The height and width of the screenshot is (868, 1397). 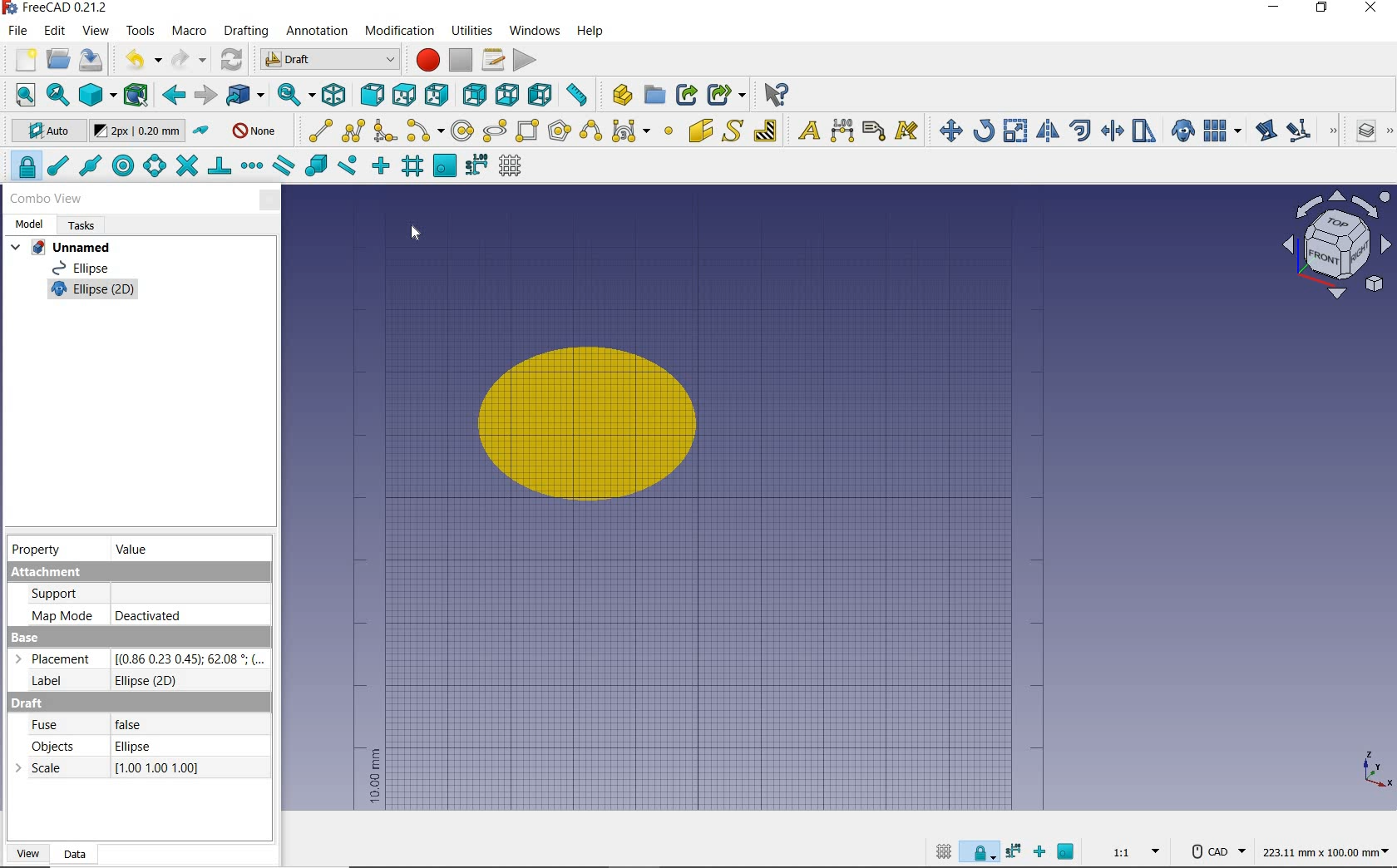 What do you see at coordinates (734, 130) in the screenshot?
I see `shape from text` at bounding box center [734, 130].